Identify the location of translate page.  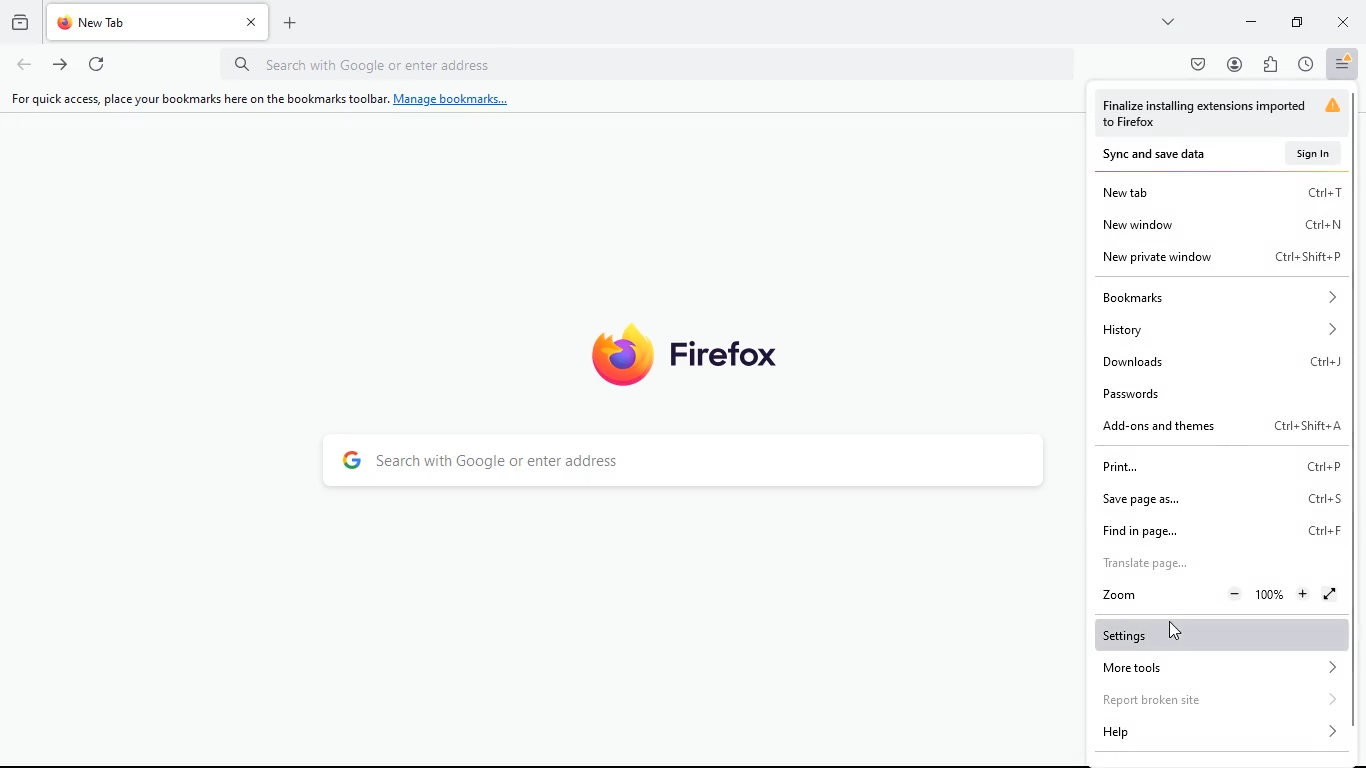
(1214, 564).